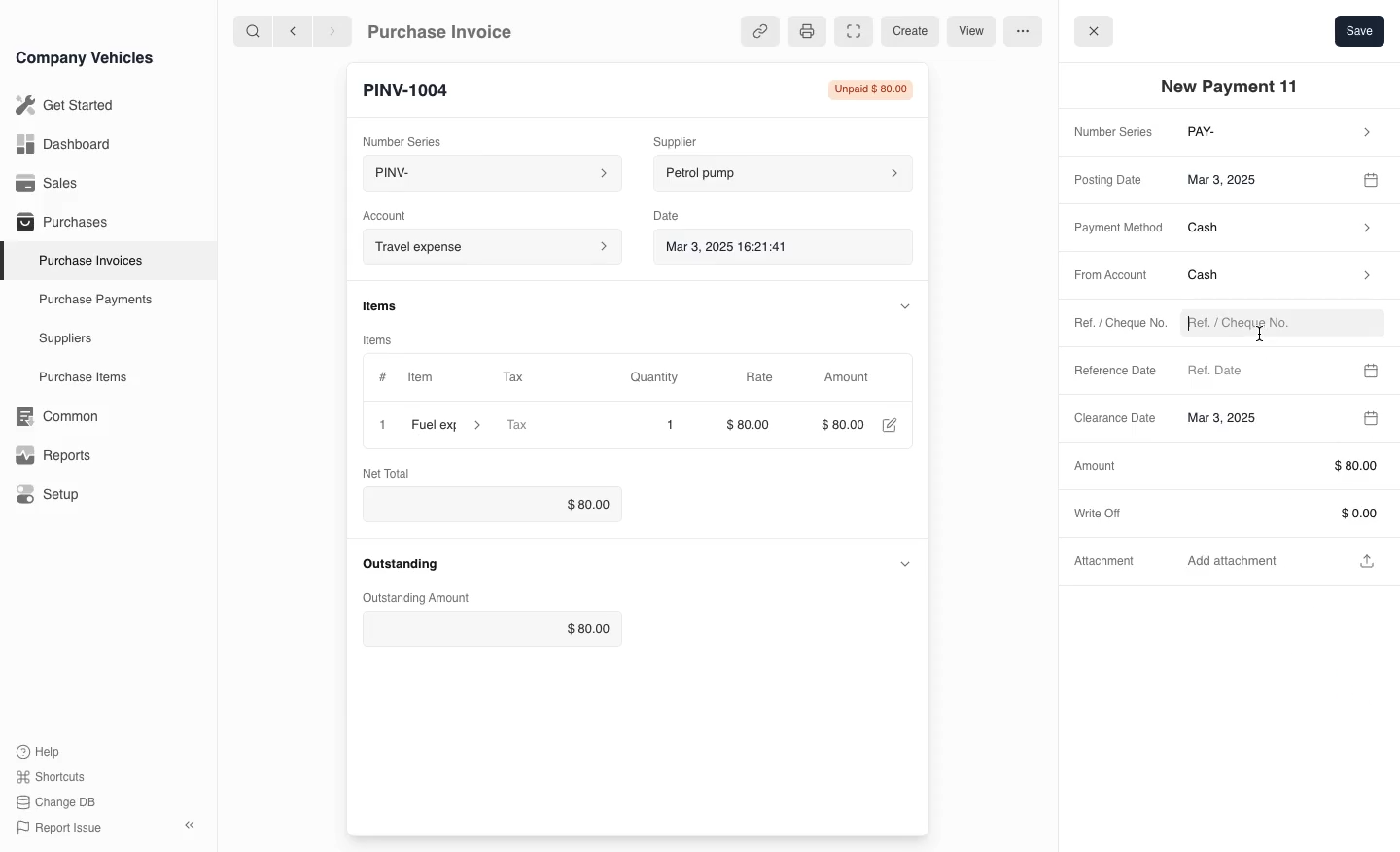  What do you see at coordinates (52, 416) in the screenshot?
I see `Common` at bounding box center [52, 416].